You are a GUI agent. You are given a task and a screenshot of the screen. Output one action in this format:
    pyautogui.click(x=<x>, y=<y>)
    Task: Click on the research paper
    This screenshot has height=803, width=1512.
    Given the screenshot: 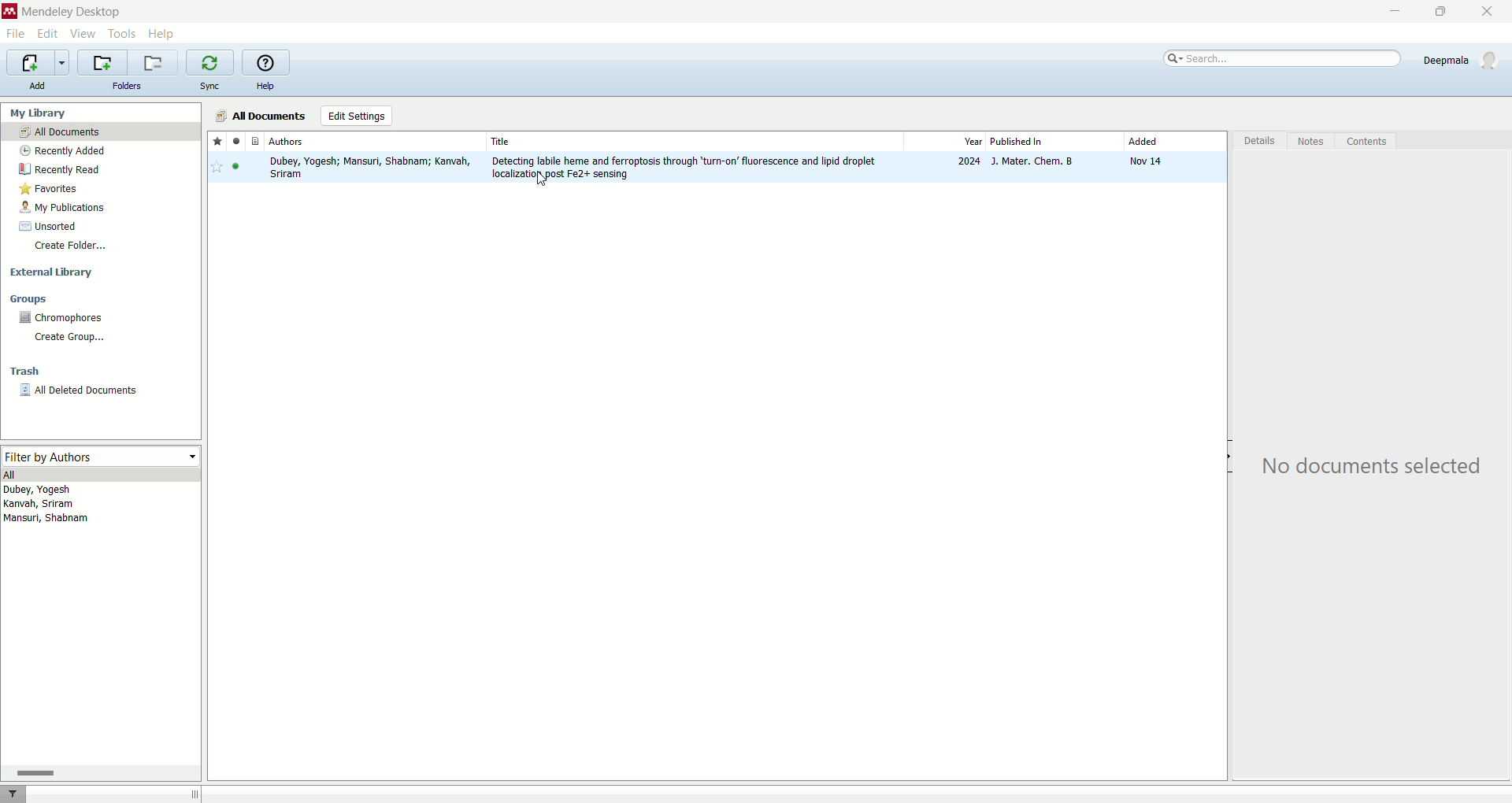 What is the action you would take?
    pyautogui.click(x=721, y=167)
    